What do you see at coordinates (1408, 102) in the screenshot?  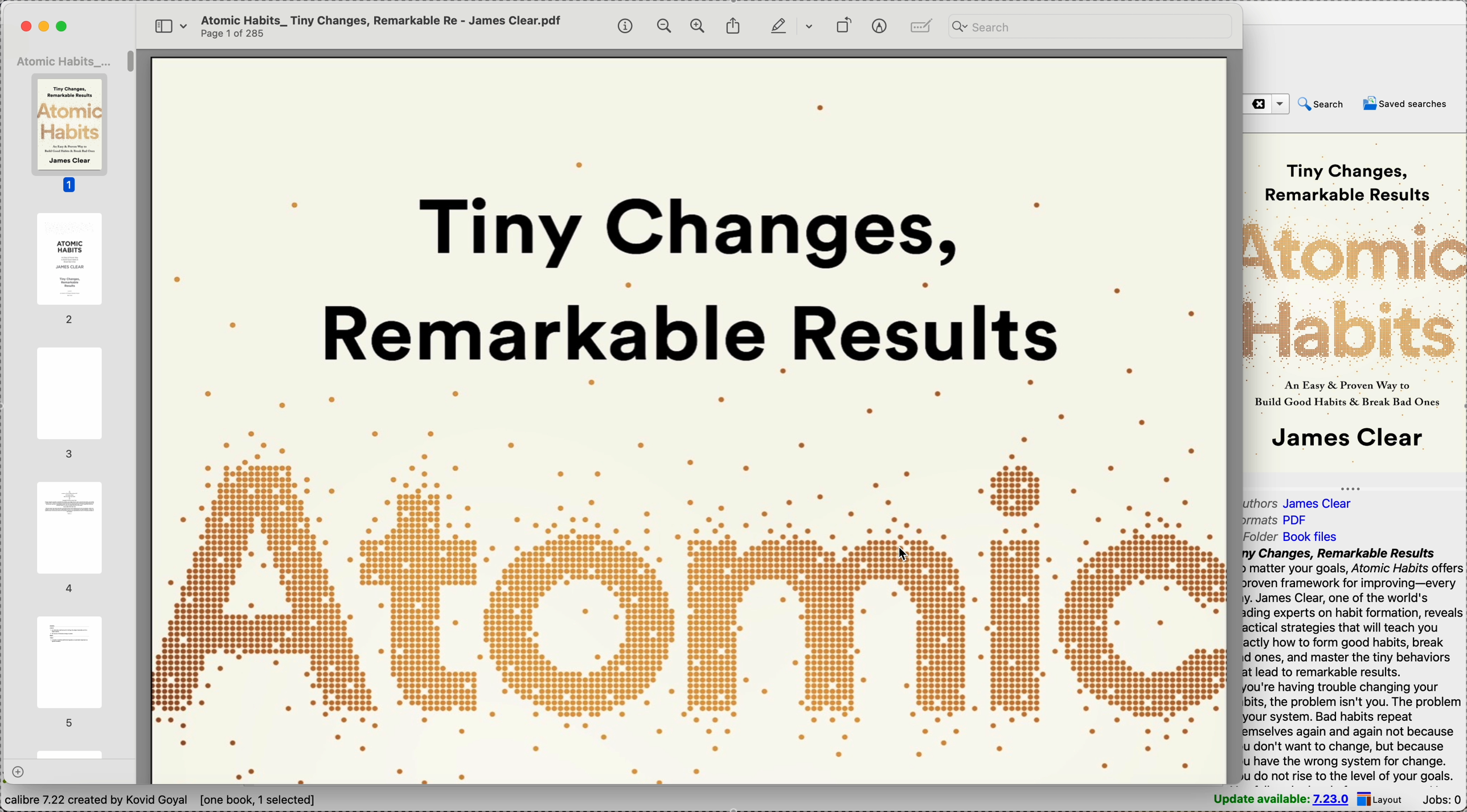 I see `saved searches` at bounding box center [1408, 102].